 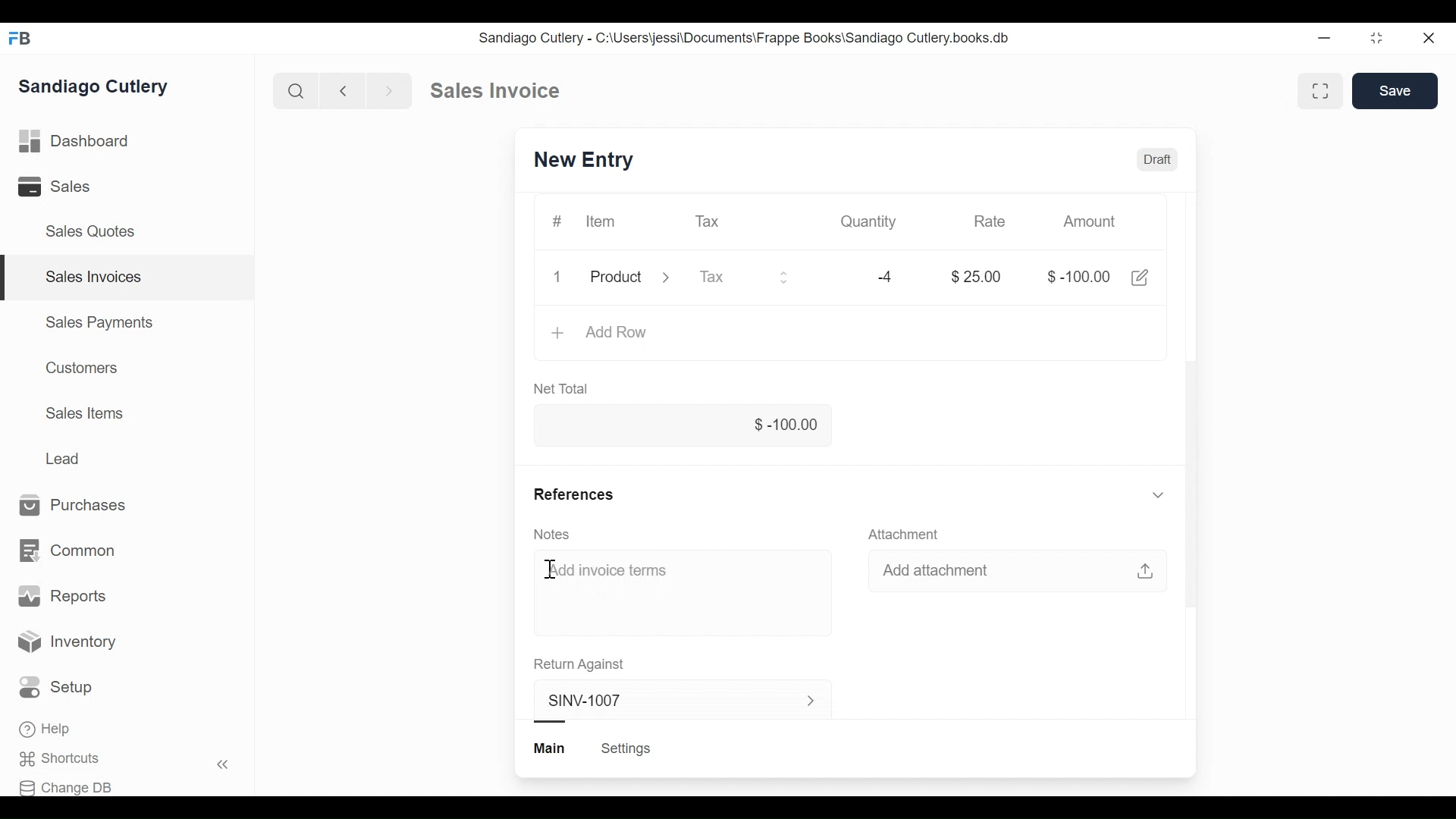 What do you see at coordinates (585, 158) in the screenshot?
I see `SINV-1007` at bounding box center [585, 158].